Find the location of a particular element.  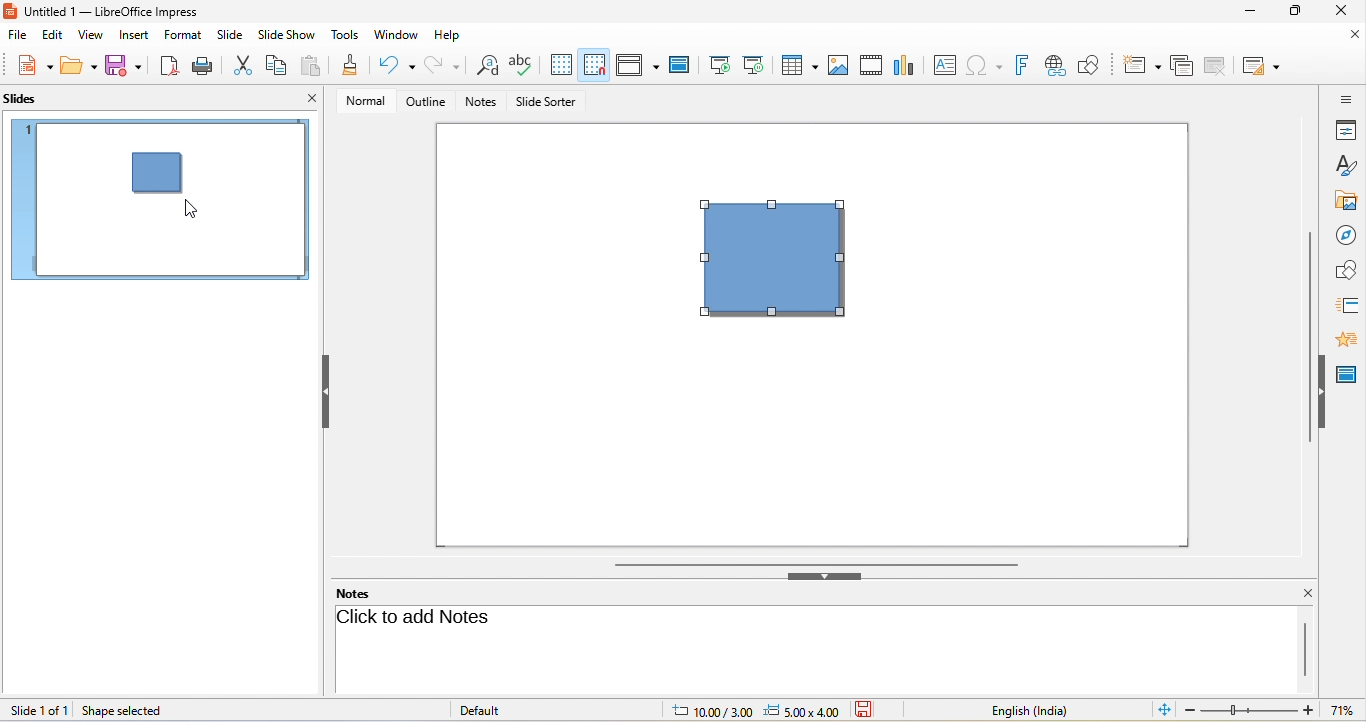

Added a reflection effect  is located at coordinates (784, 269).